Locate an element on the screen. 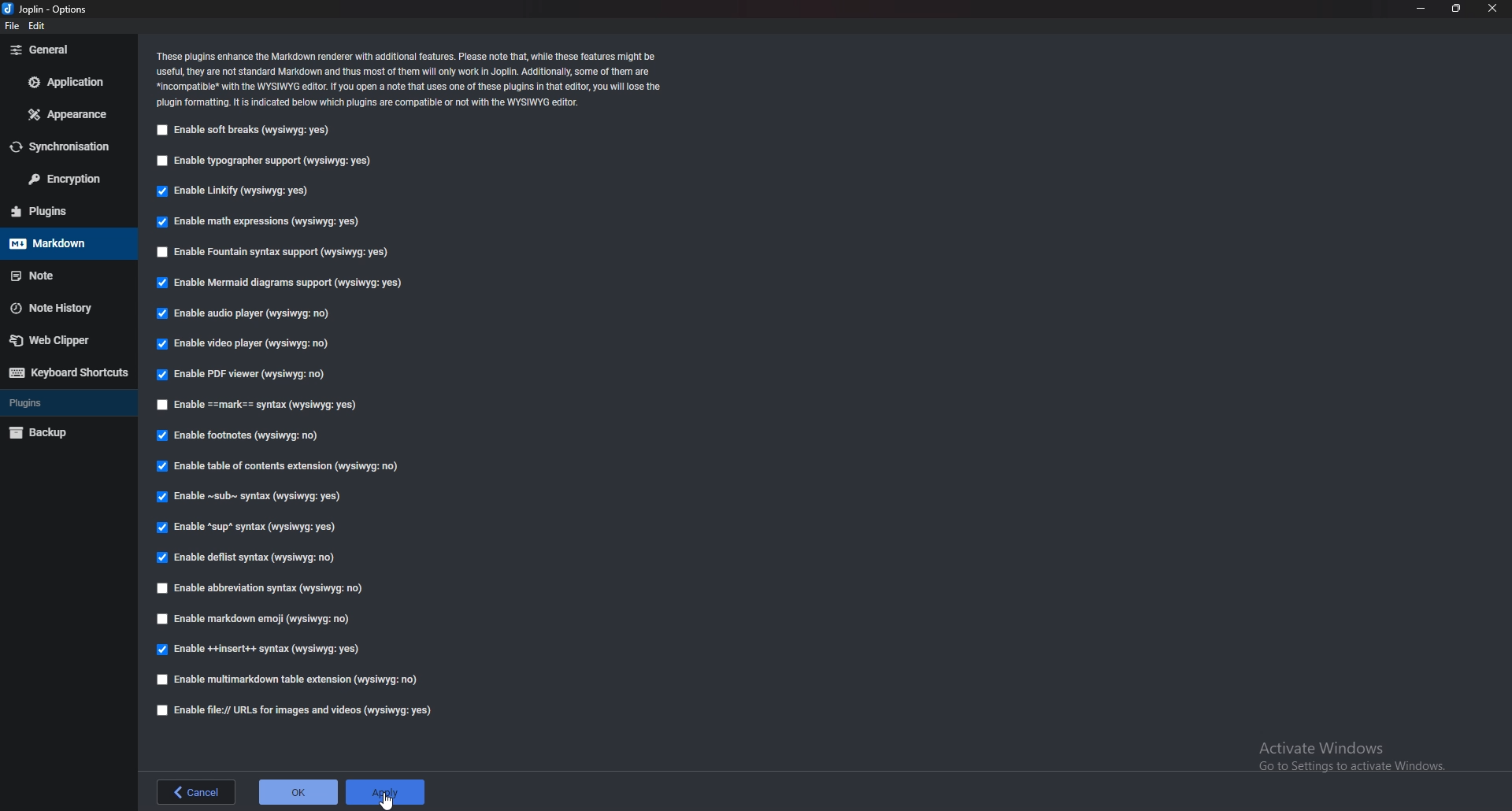 The width and height of the screenshot is (1512, 811). Enable math expressions is located at coordinates (256, 222).